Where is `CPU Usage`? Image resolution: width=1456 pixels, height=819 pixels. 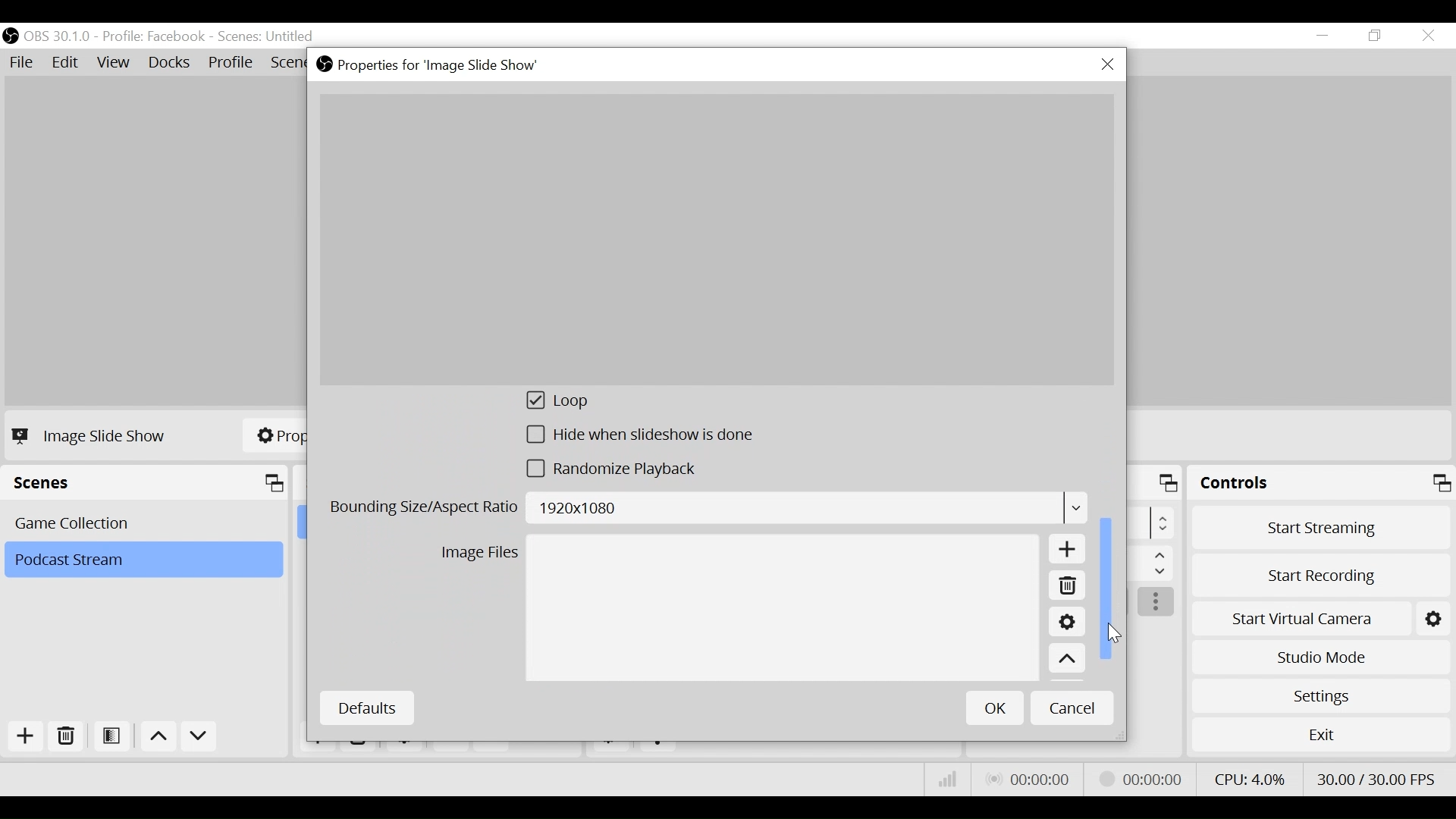
CPU Usage is located at coordinates (1247, 777).